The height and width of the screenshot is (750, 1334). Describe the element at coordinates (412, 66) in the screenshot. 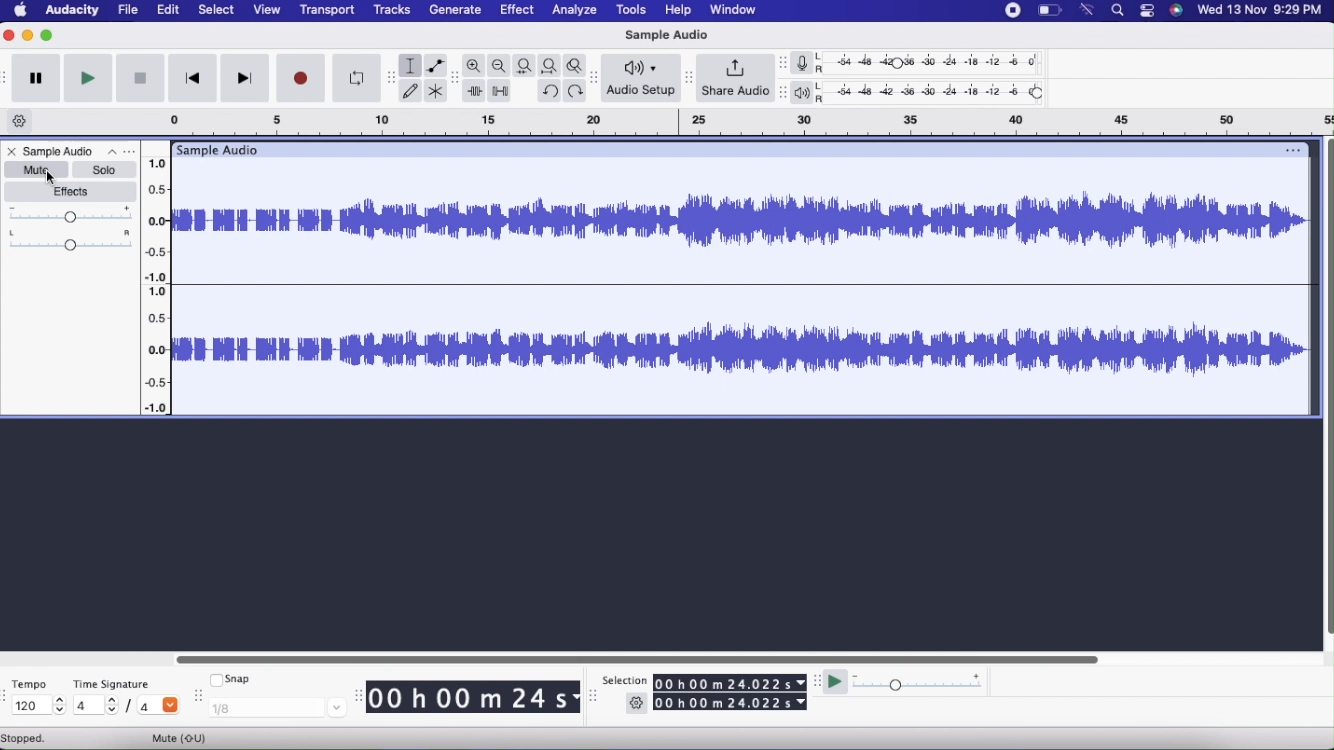

I see `Selection tool` at that location.